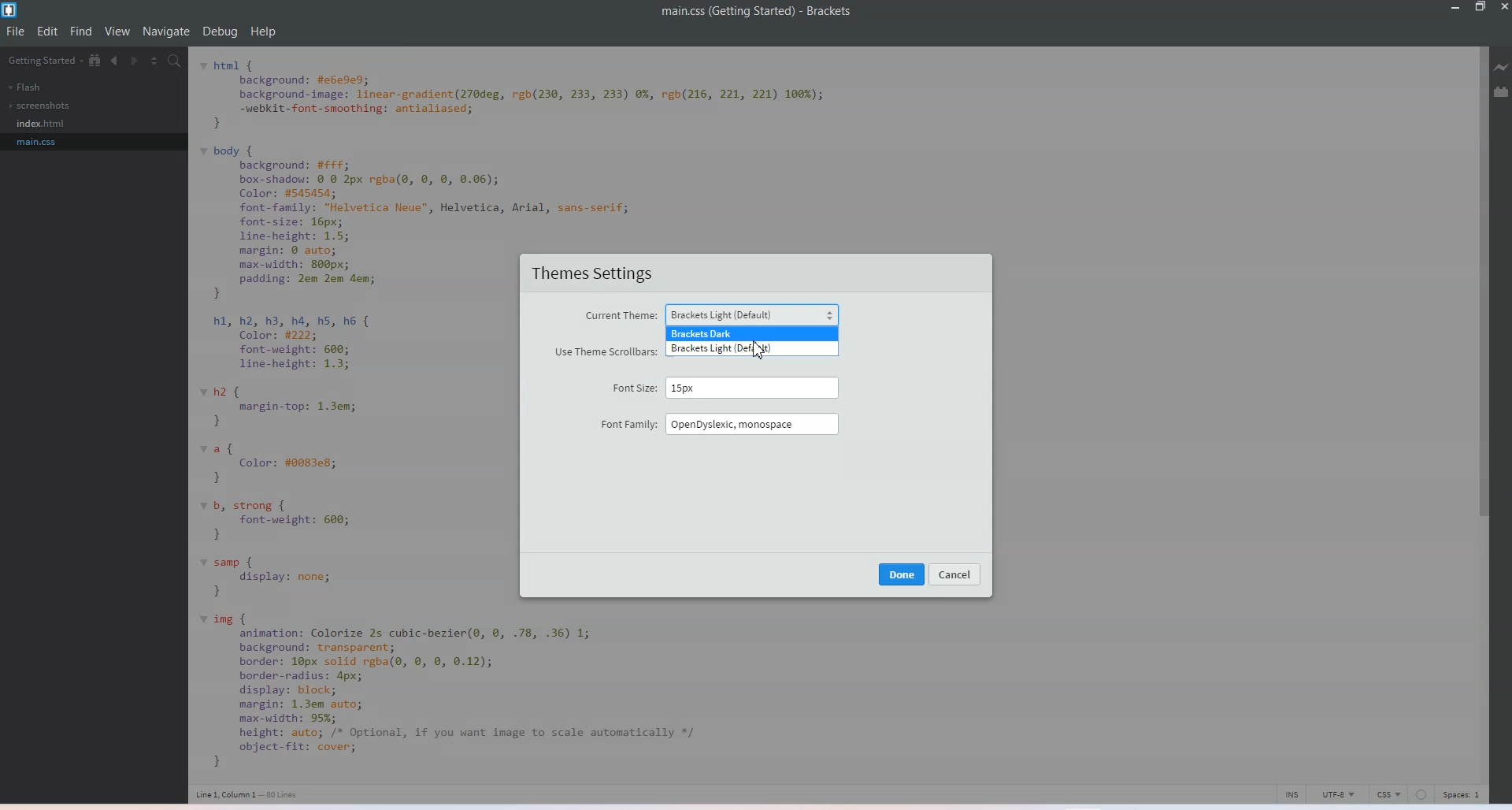 The image size is (1512, 810). What do you see at coordinates (1340, 793) in the screenshot?
I see `UTF-8` at bounding box center [1340, 793].